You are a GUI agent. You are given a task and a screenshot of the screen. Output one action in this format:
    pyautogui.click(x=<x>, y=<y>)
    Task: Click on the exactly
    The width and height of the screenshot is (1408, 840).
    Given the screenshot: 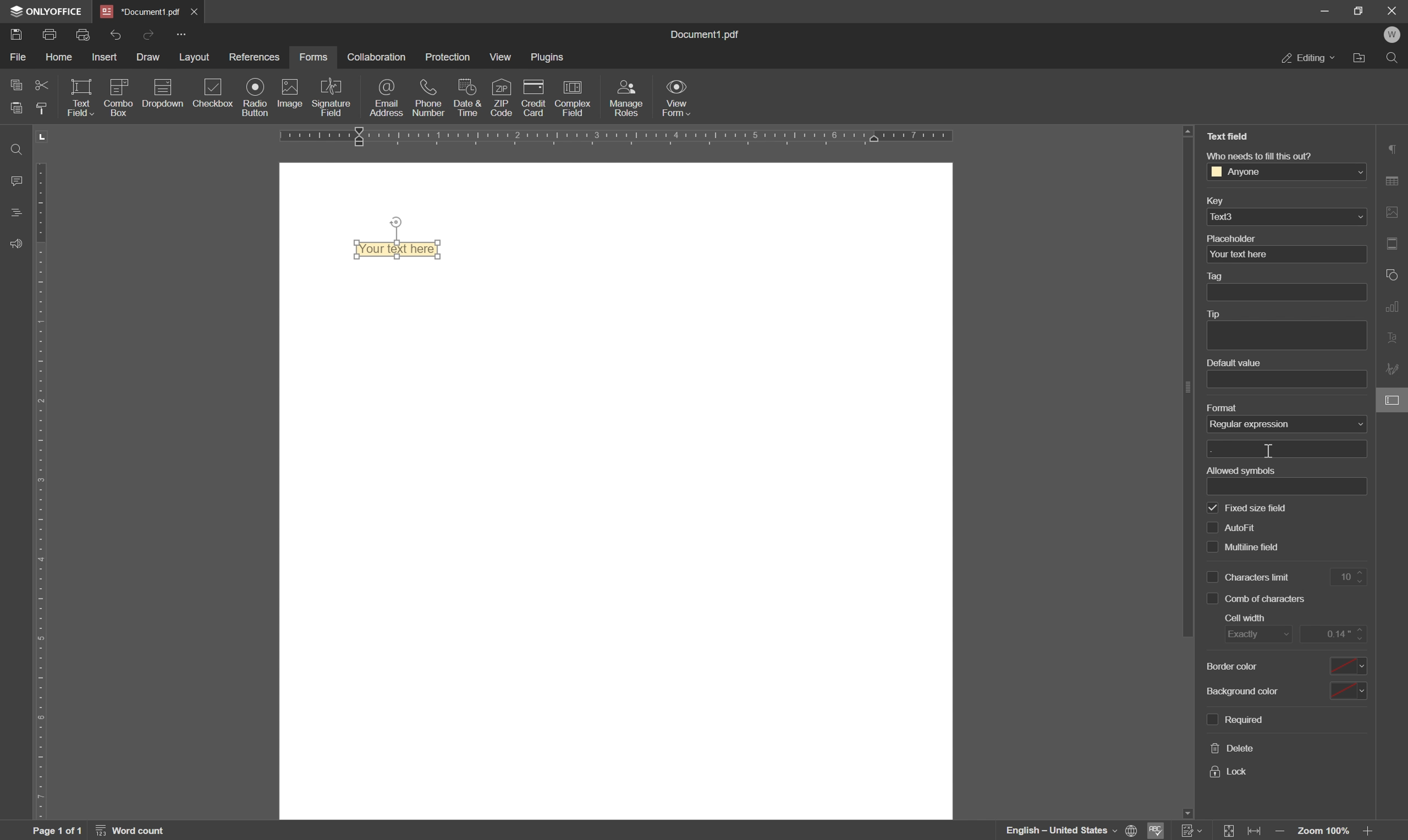 What is the action you would take?
    pyautogui.click(x=1256, y=636)
    